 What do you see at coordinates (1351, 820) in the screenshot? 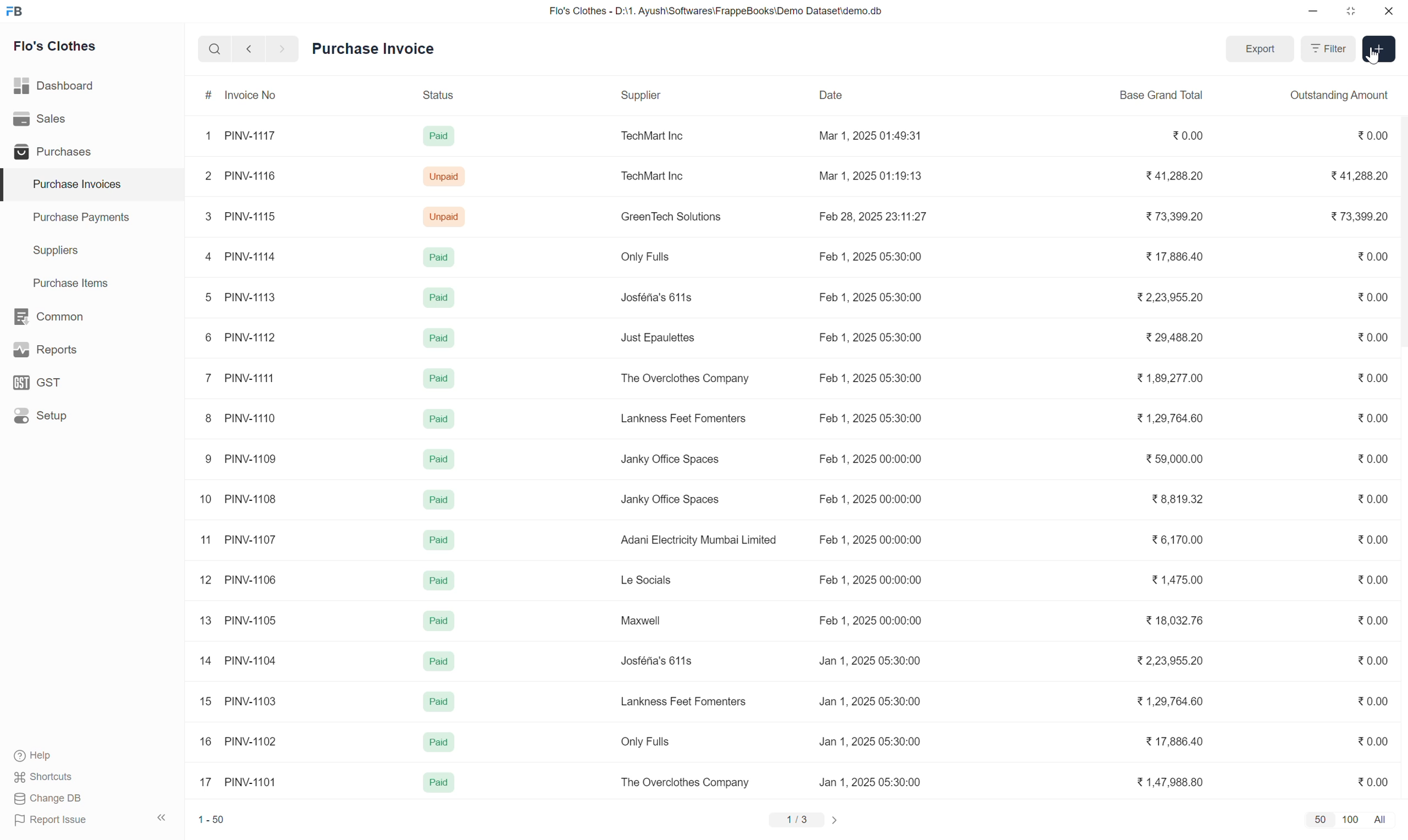
I see `100` at bounding box center [1351, 820].